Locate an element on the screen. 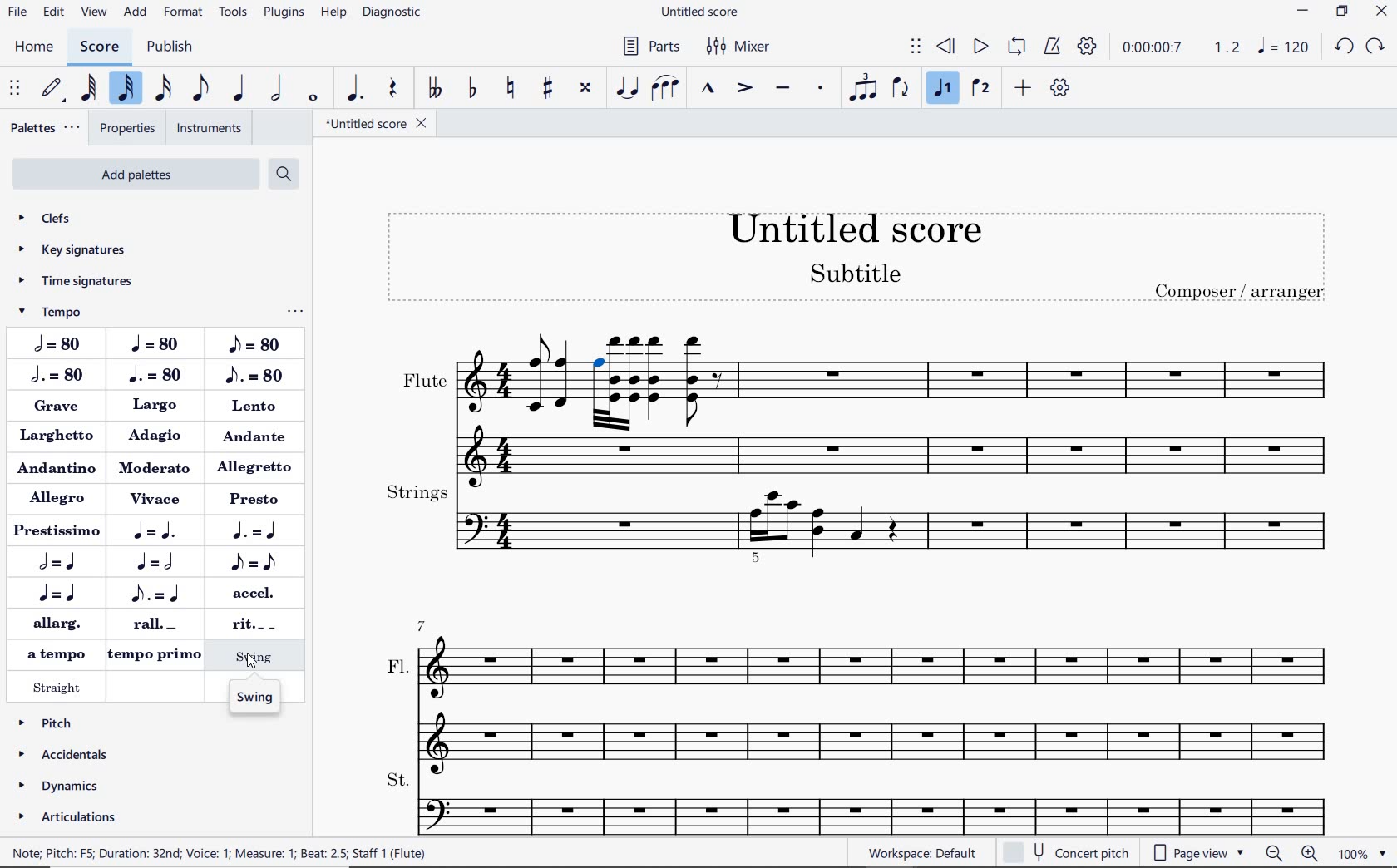 Image resolution: width=1397 pixels, height=868 pixels. ANDANTE is located at coordinates (257, 437).